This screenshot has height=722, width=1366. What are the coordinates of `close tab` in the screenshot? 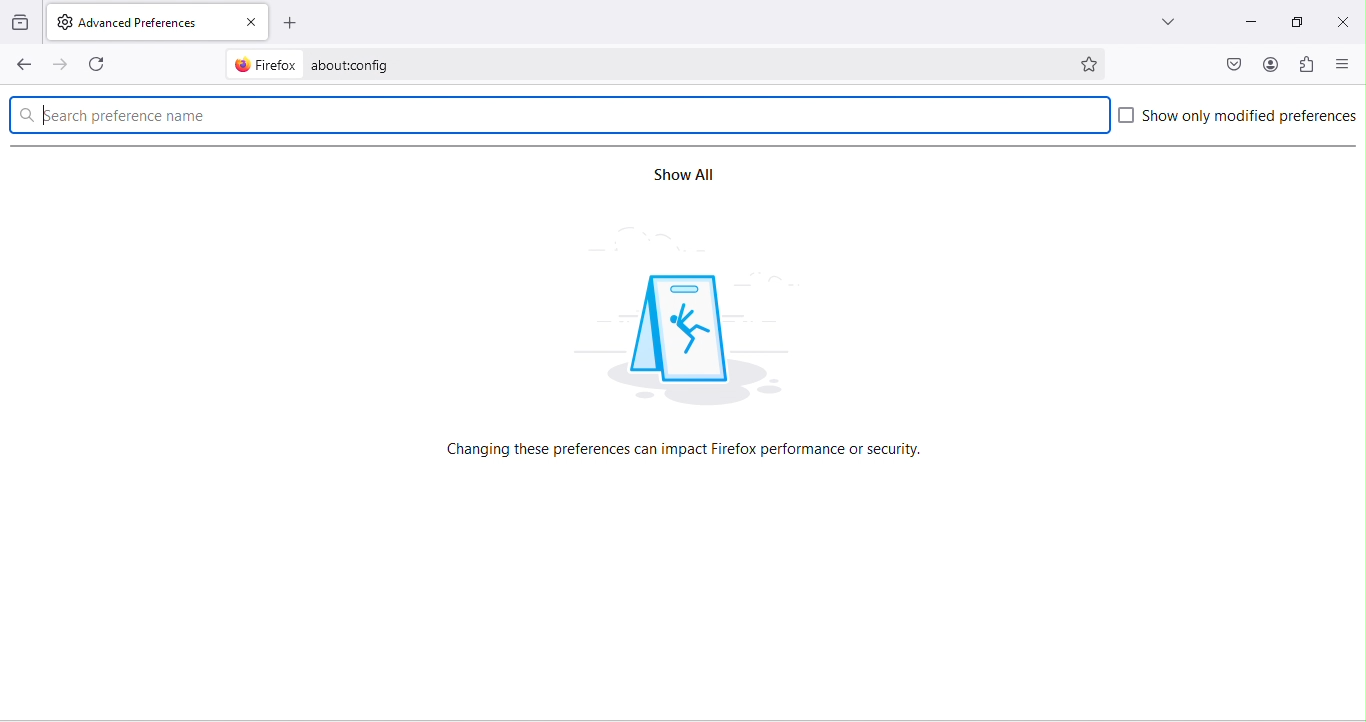 It's located at (250, 23).